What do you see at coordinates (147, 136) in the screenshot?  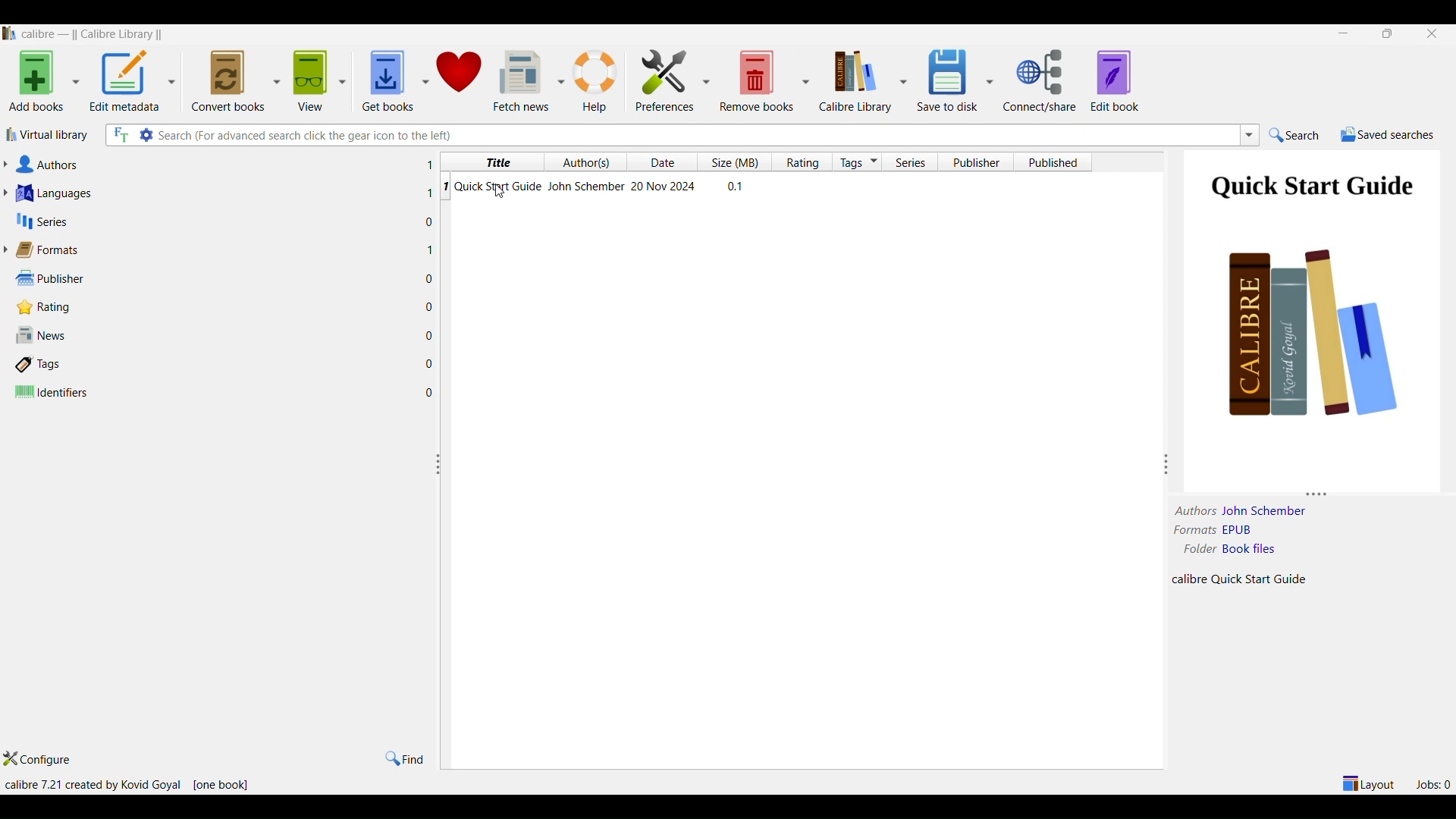 I see `search settings` at bounding box center [147, 136].